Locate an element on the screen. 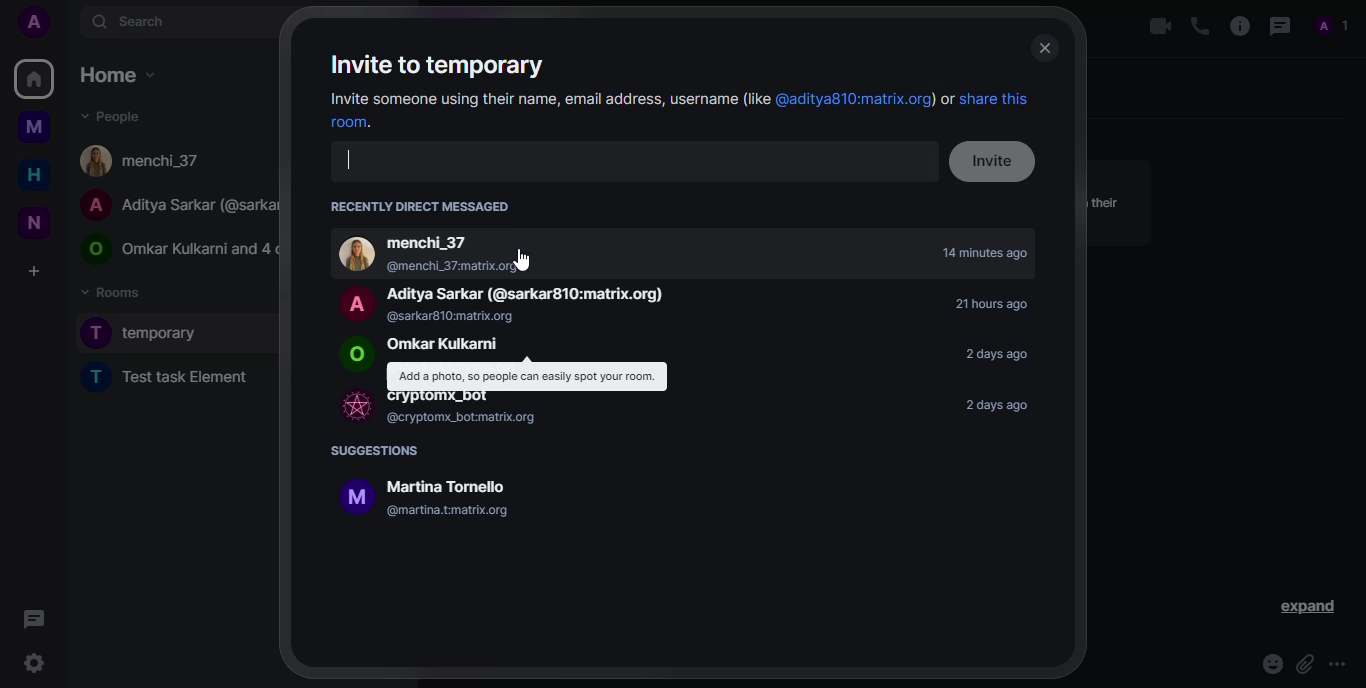 This screenshot has height=688, width=1366. info is located at coordinates (721, 461).